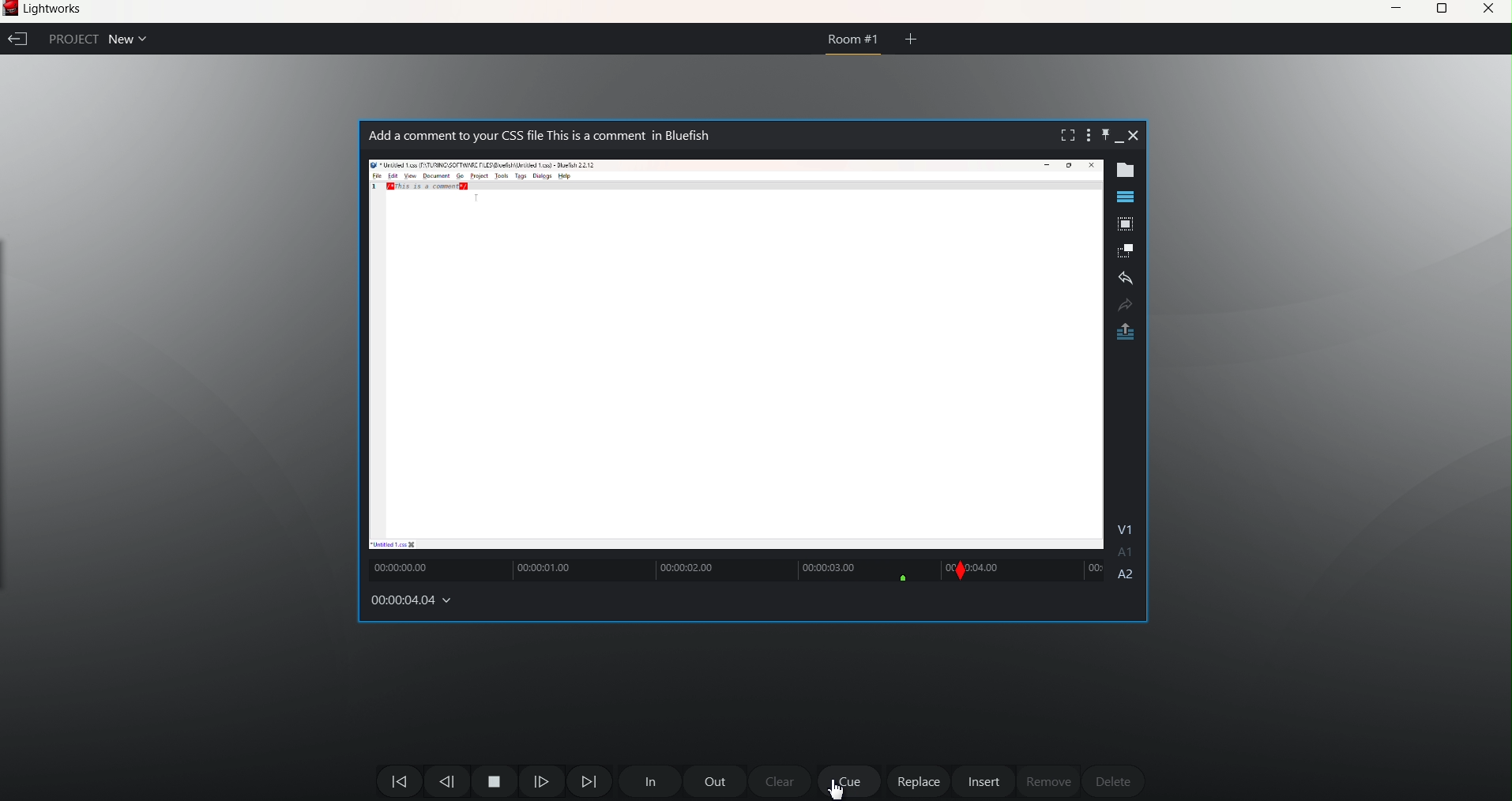  Describe the element at coordinates (1086, 135) in the screenshot. I see `show setting menu` at that location.